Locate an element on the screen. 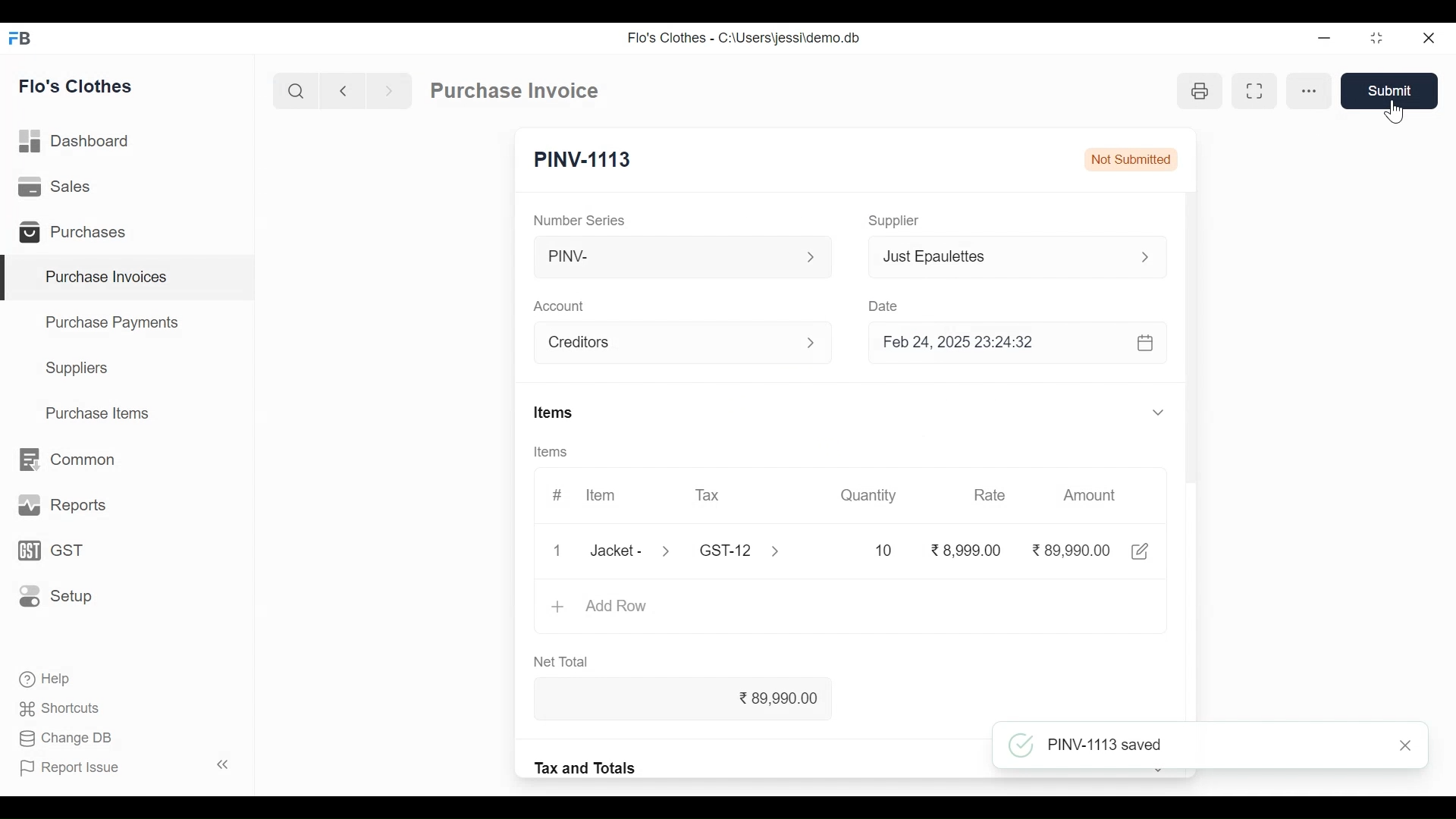  Tax is located at coordinates (729, 550).